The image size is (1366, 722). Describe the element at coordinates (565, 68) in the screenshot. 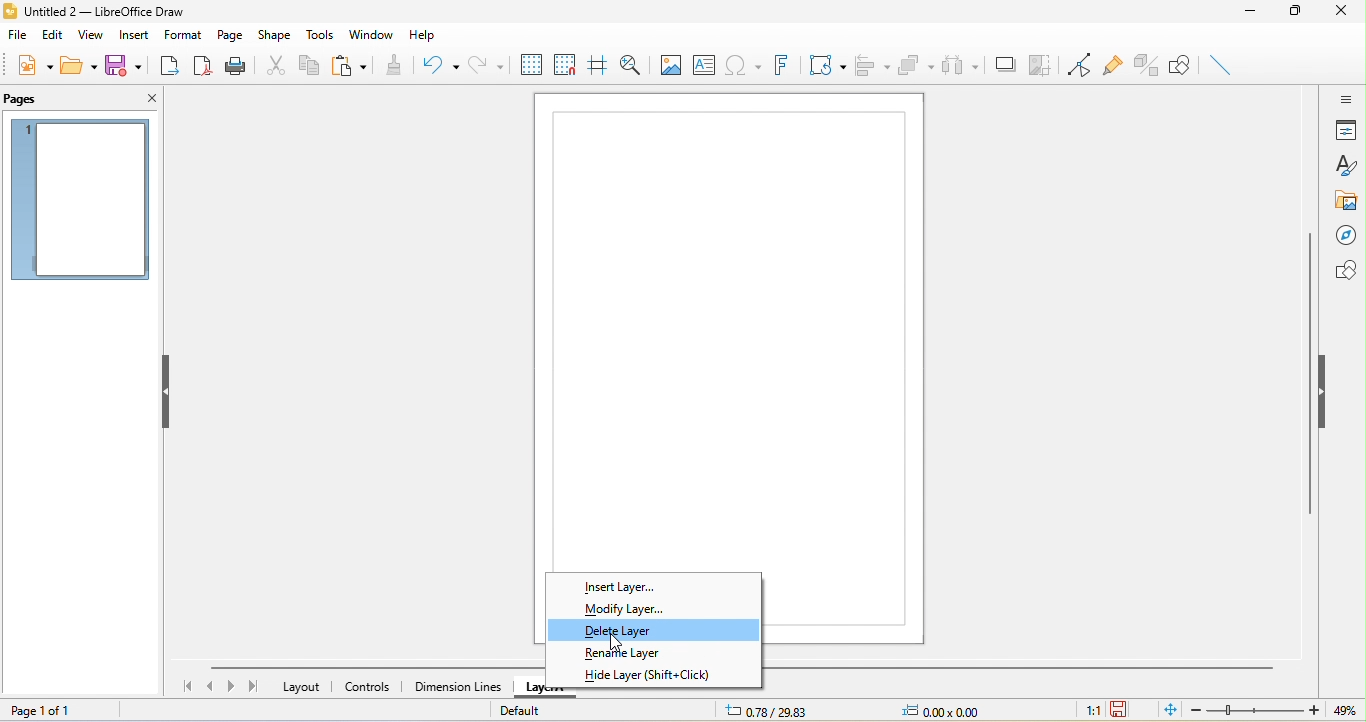

I see `snap to grid` at that location.